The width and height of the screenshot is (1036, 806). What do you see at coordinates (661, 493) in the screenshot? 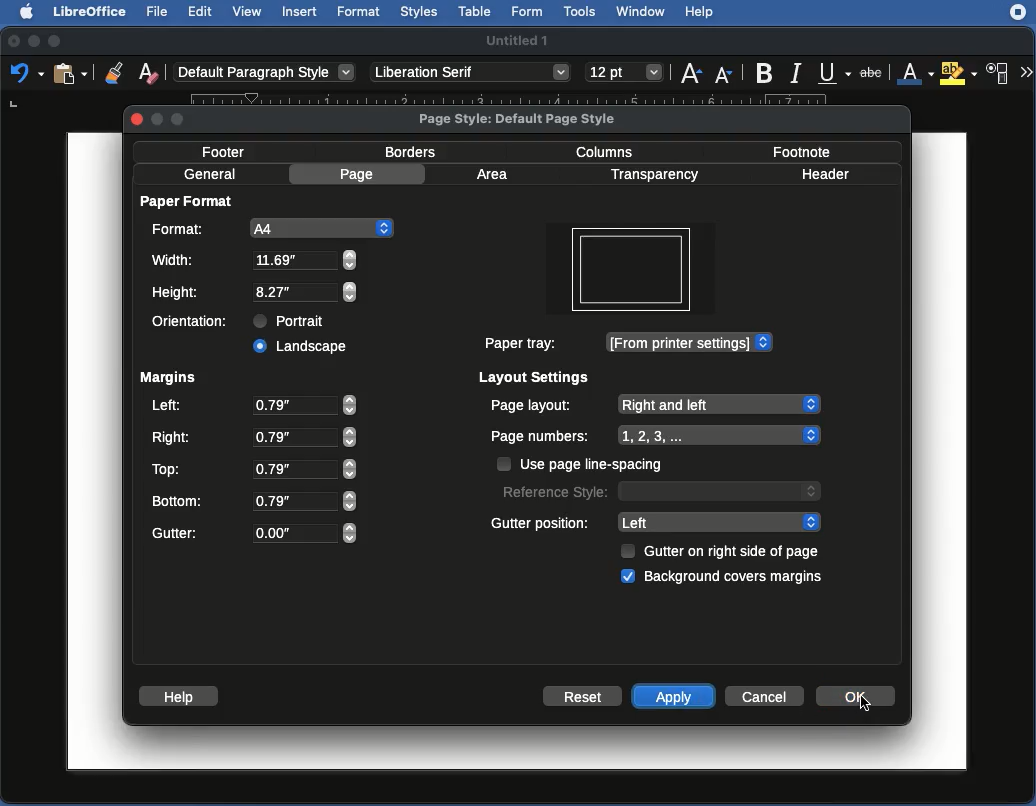
I see `Reference style` at bounding box center [661, 493].